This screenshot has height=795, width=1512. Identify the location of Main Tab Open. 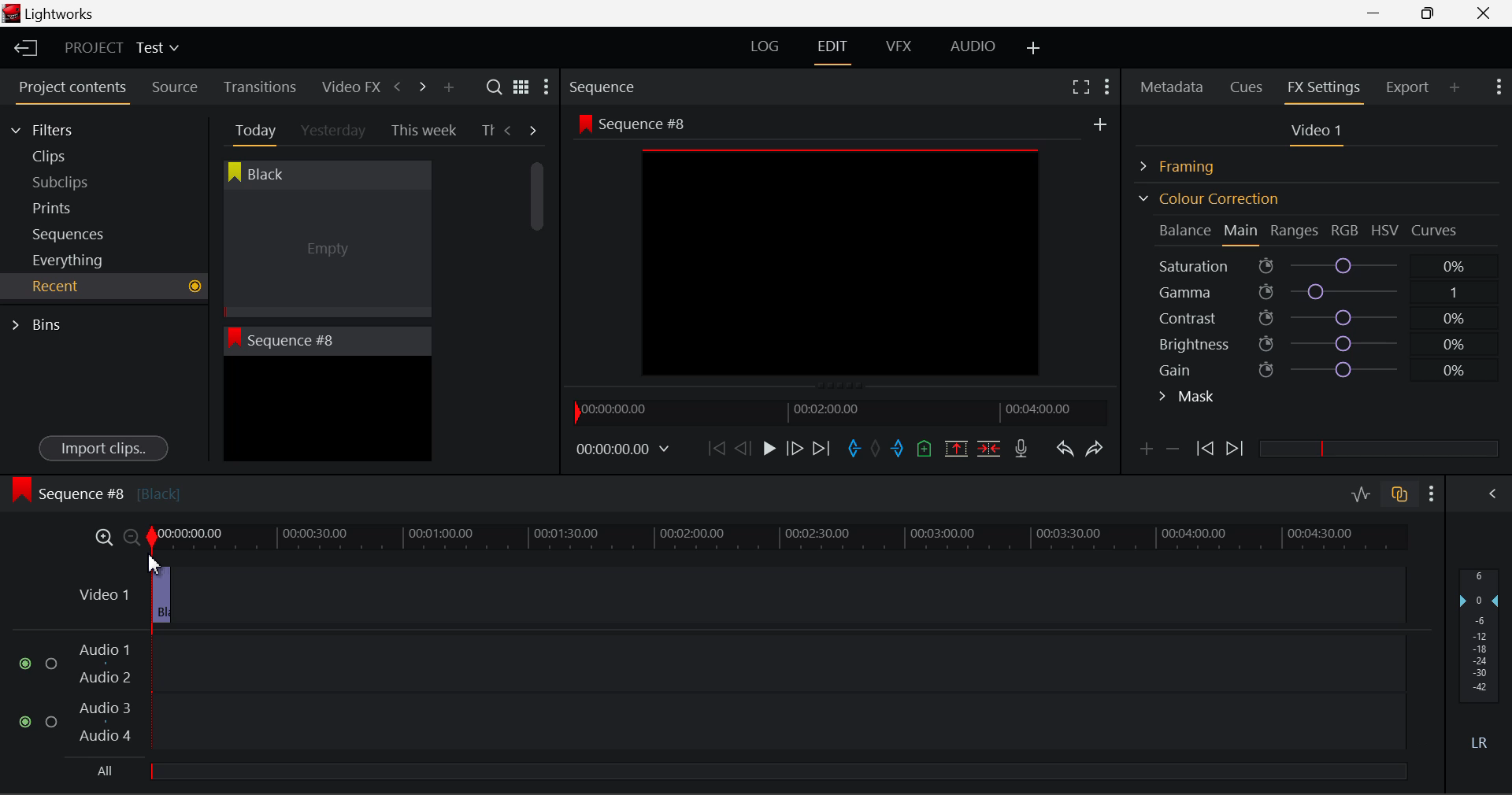
(1242, 232).